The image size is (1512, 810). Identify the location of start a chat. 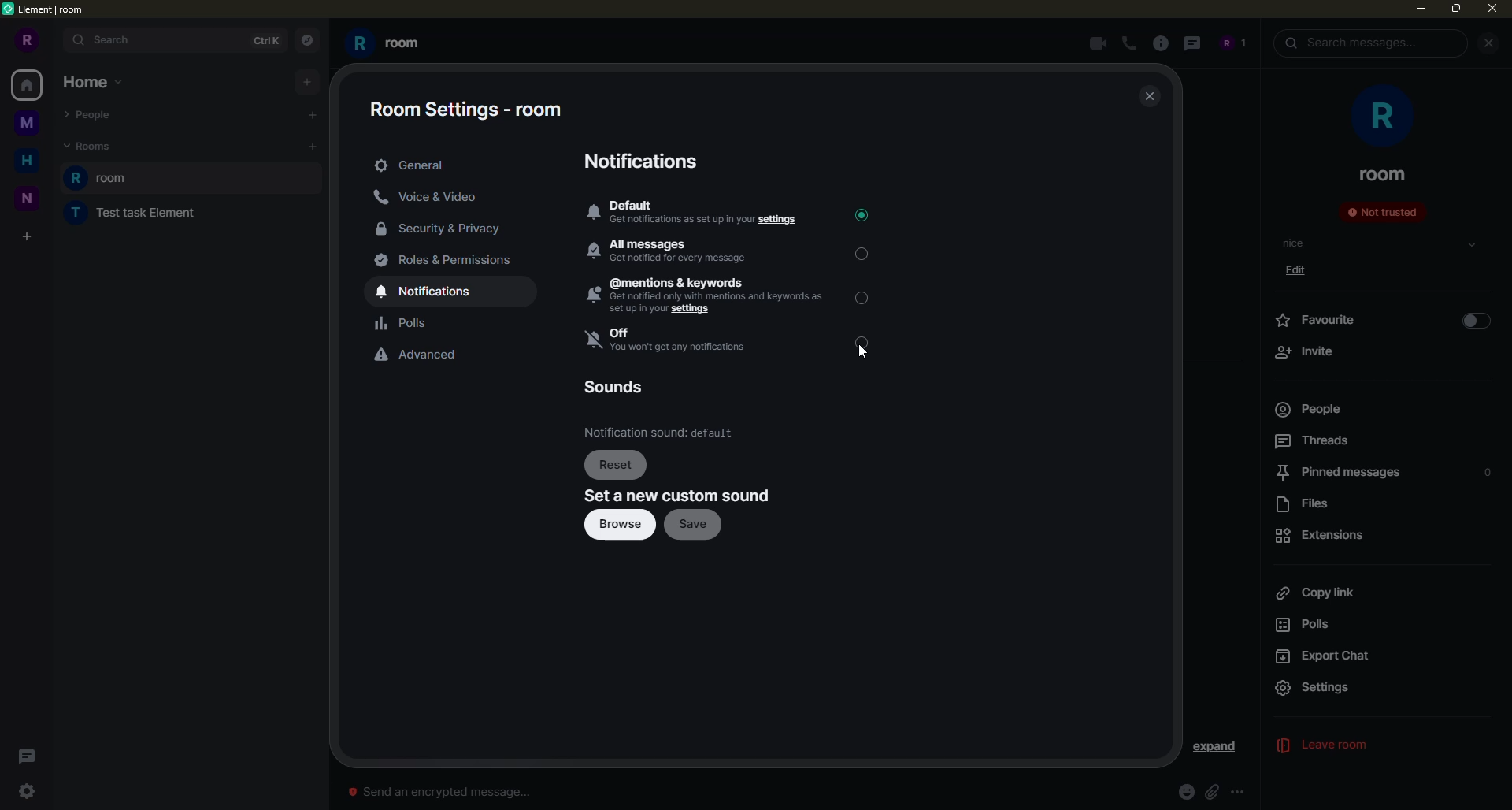
(309, 115).